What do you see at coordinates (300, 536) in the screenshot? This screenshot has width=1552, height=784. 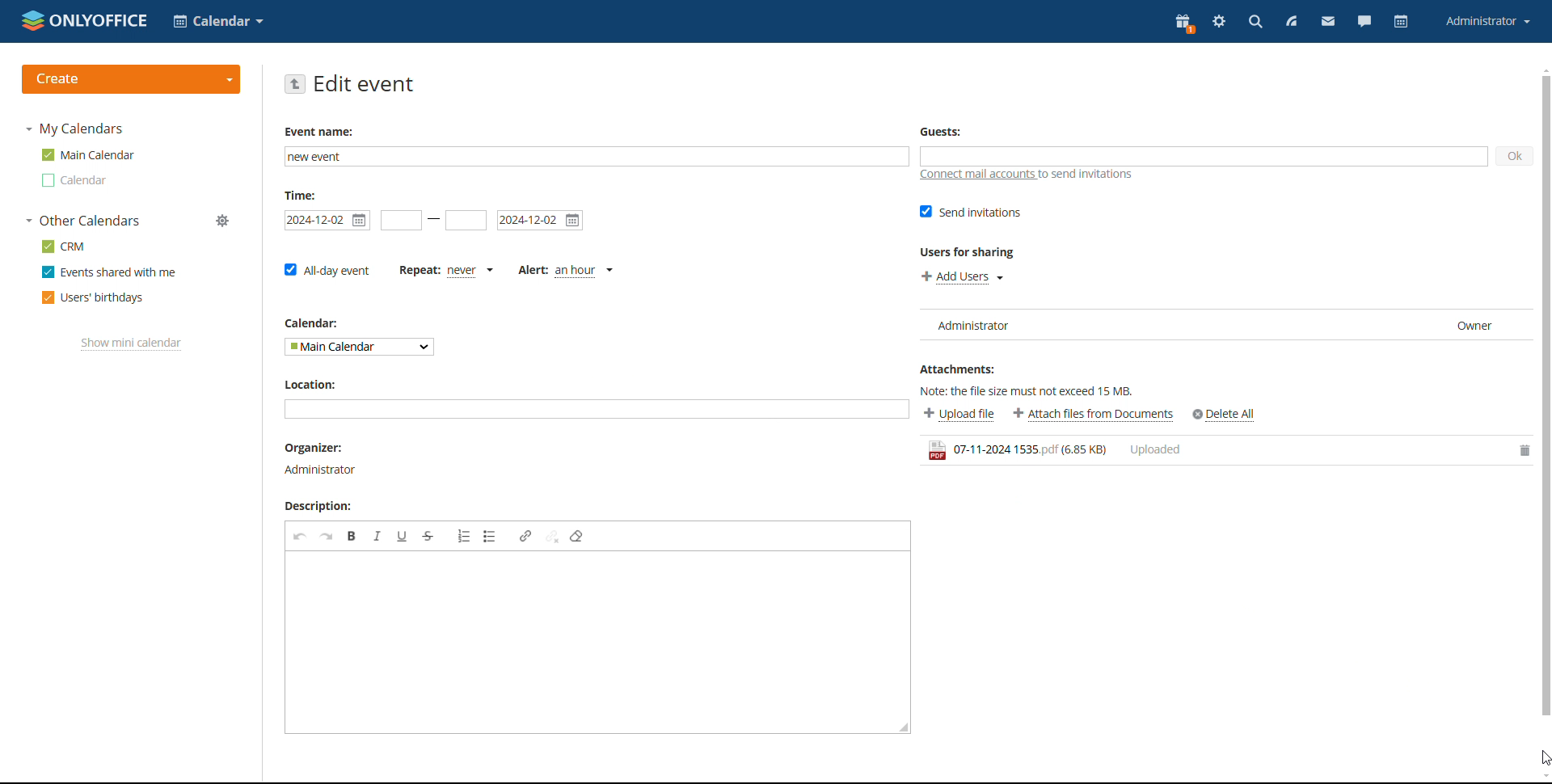 I see `undo` at bounding box center [300, 536].